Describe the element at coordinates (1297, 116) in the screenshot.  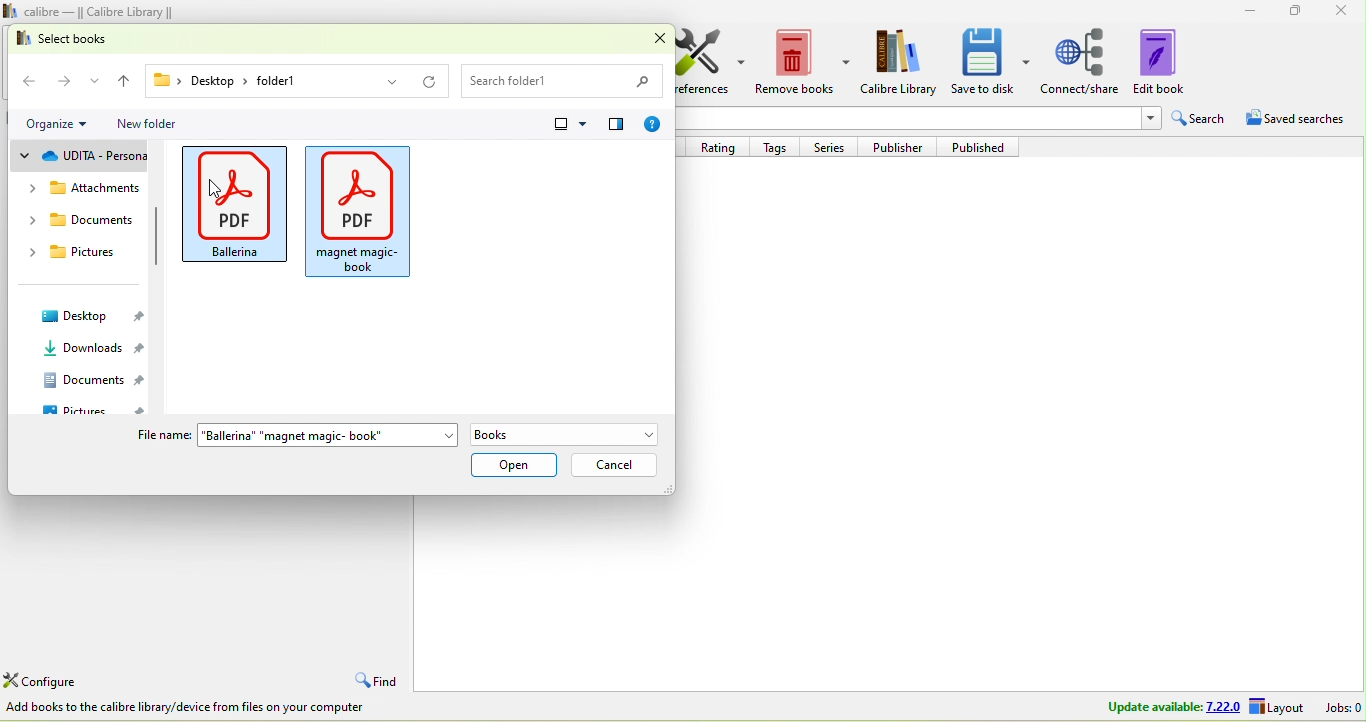
I see `saved searches` at that location.